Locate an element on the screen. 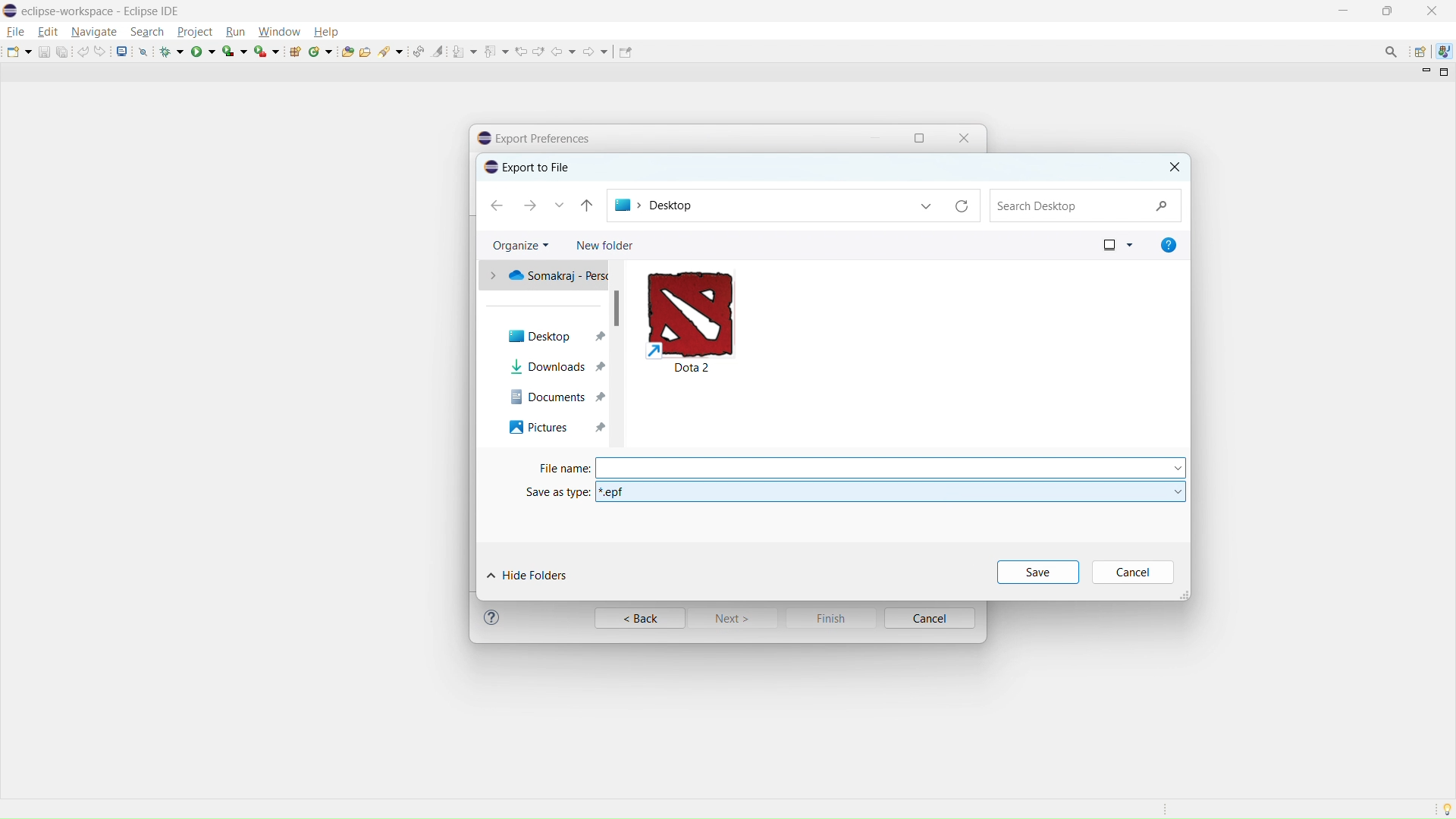 The image size is (1456, 819). Back is located at coordinates (638, 619).